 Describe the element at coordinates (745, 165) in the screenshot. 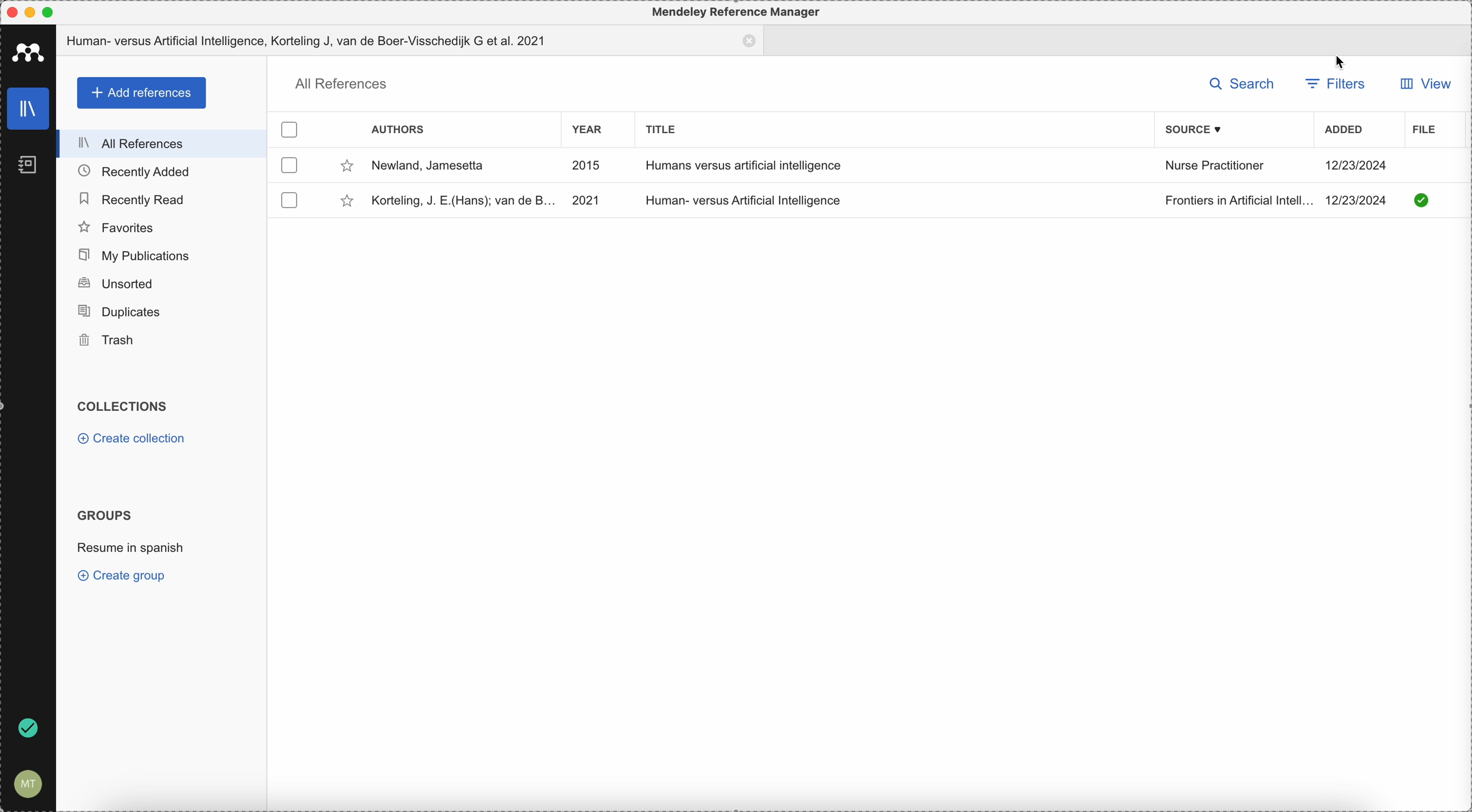

I see `Humans versus artificial intelligence` at that location.